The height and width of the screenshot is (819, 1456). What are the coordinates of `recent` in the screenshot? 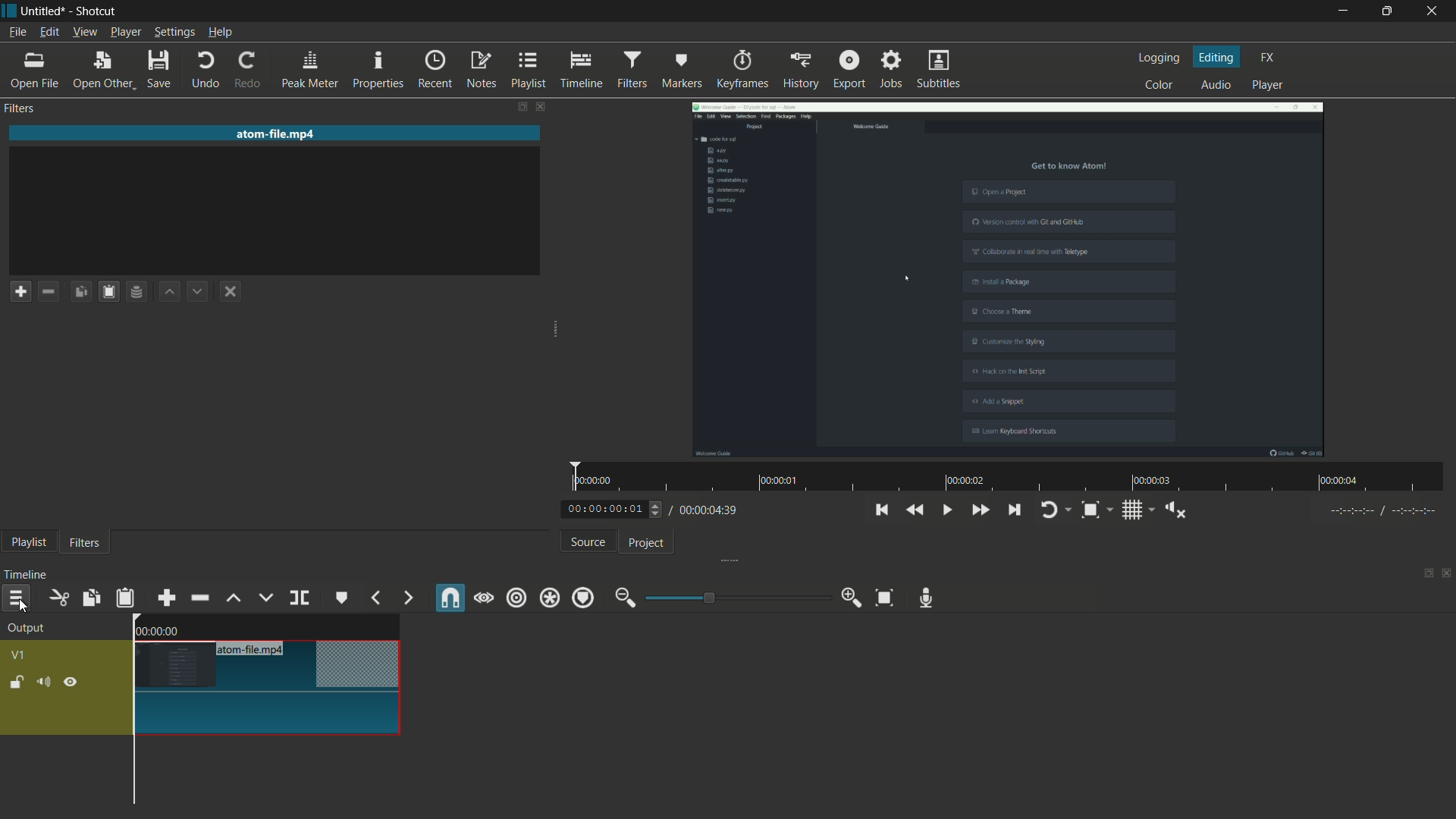 It's located at (435, 70).